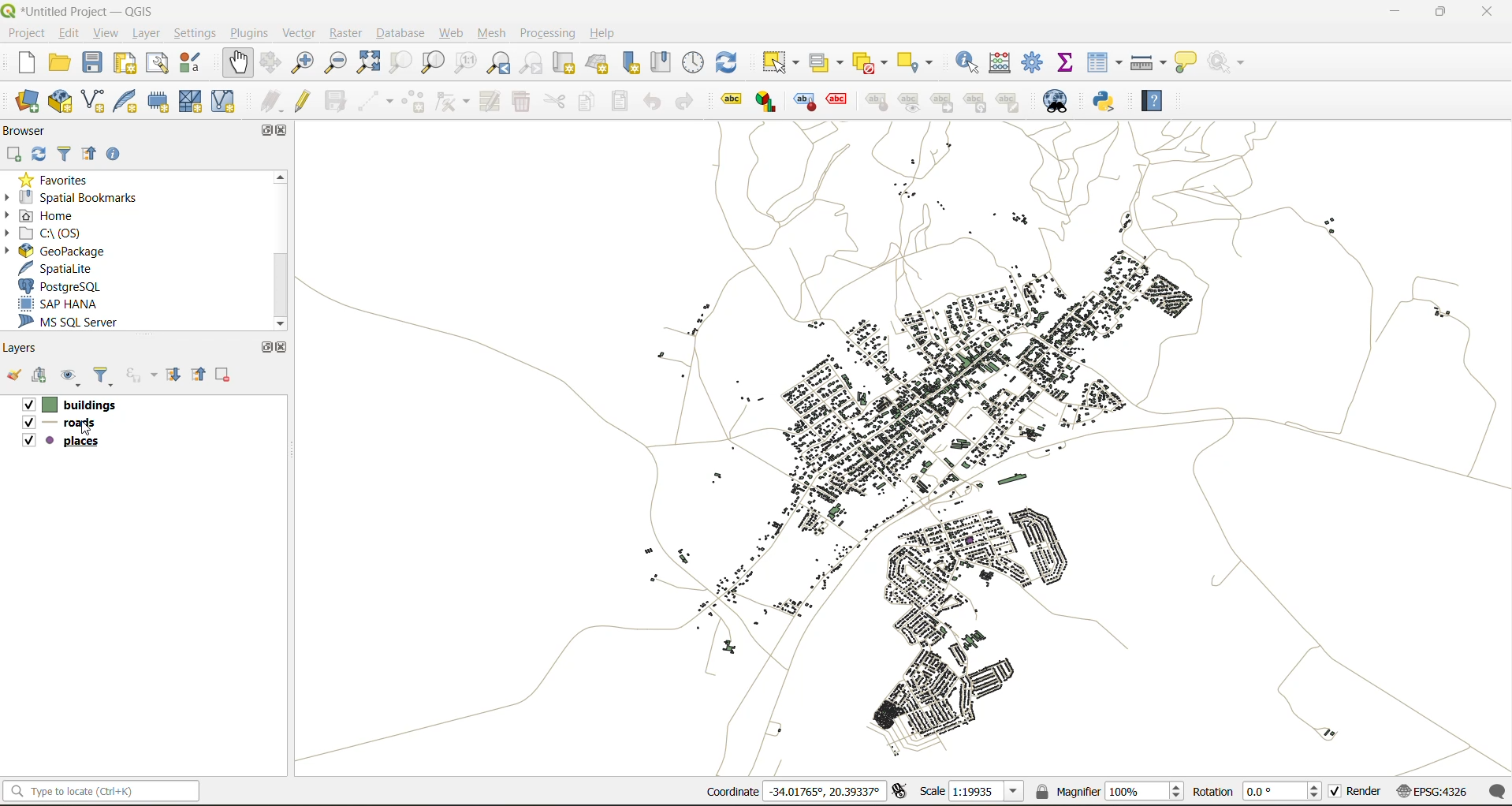  What do you see at coordinates (236, 60) in the screenshot?
I see `pan map` at bounding box center [236, 60].